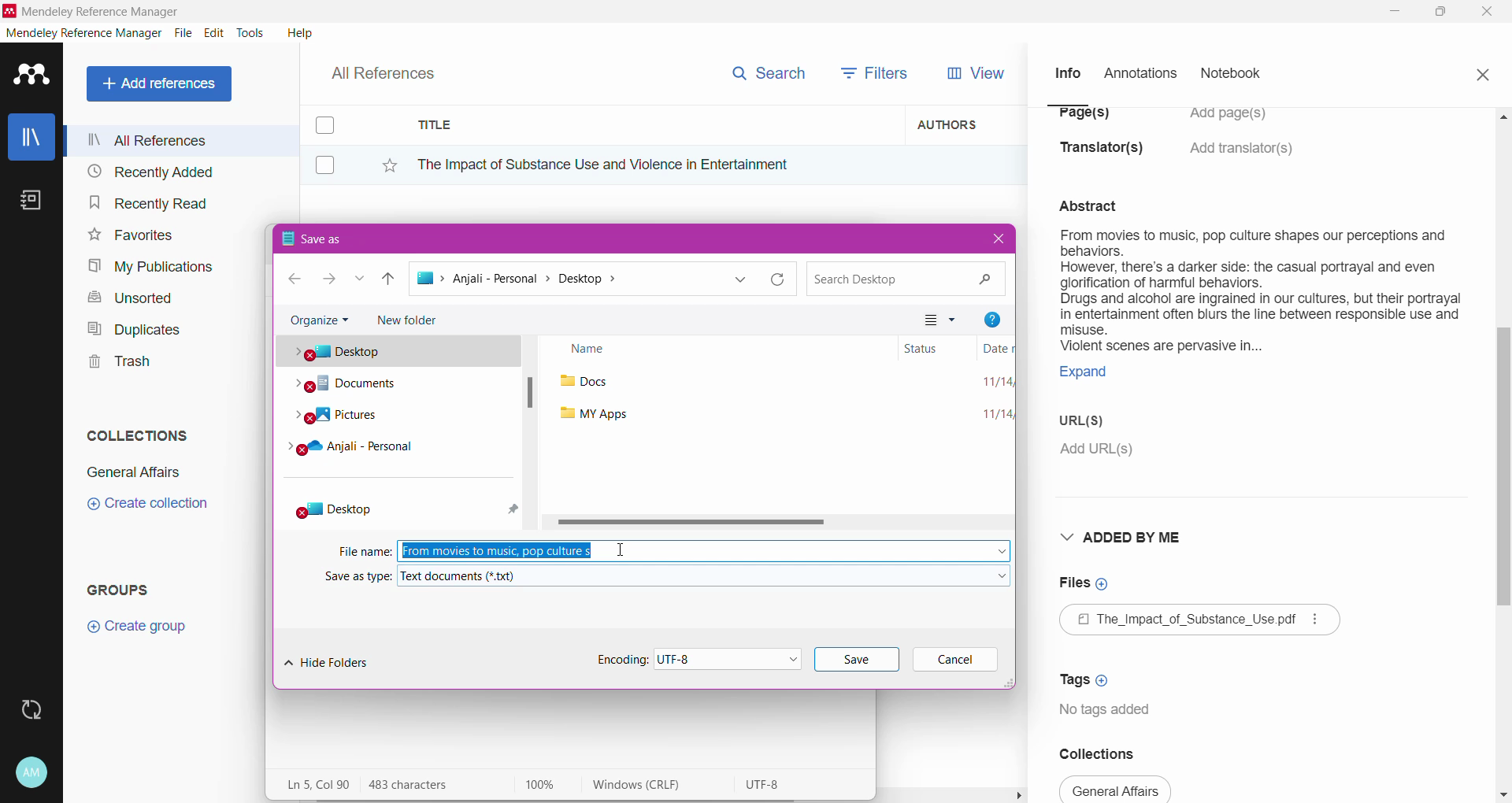 The height and width of the screenshot is (803, 1512). I want to click on Previous locations, so click(743, 279).